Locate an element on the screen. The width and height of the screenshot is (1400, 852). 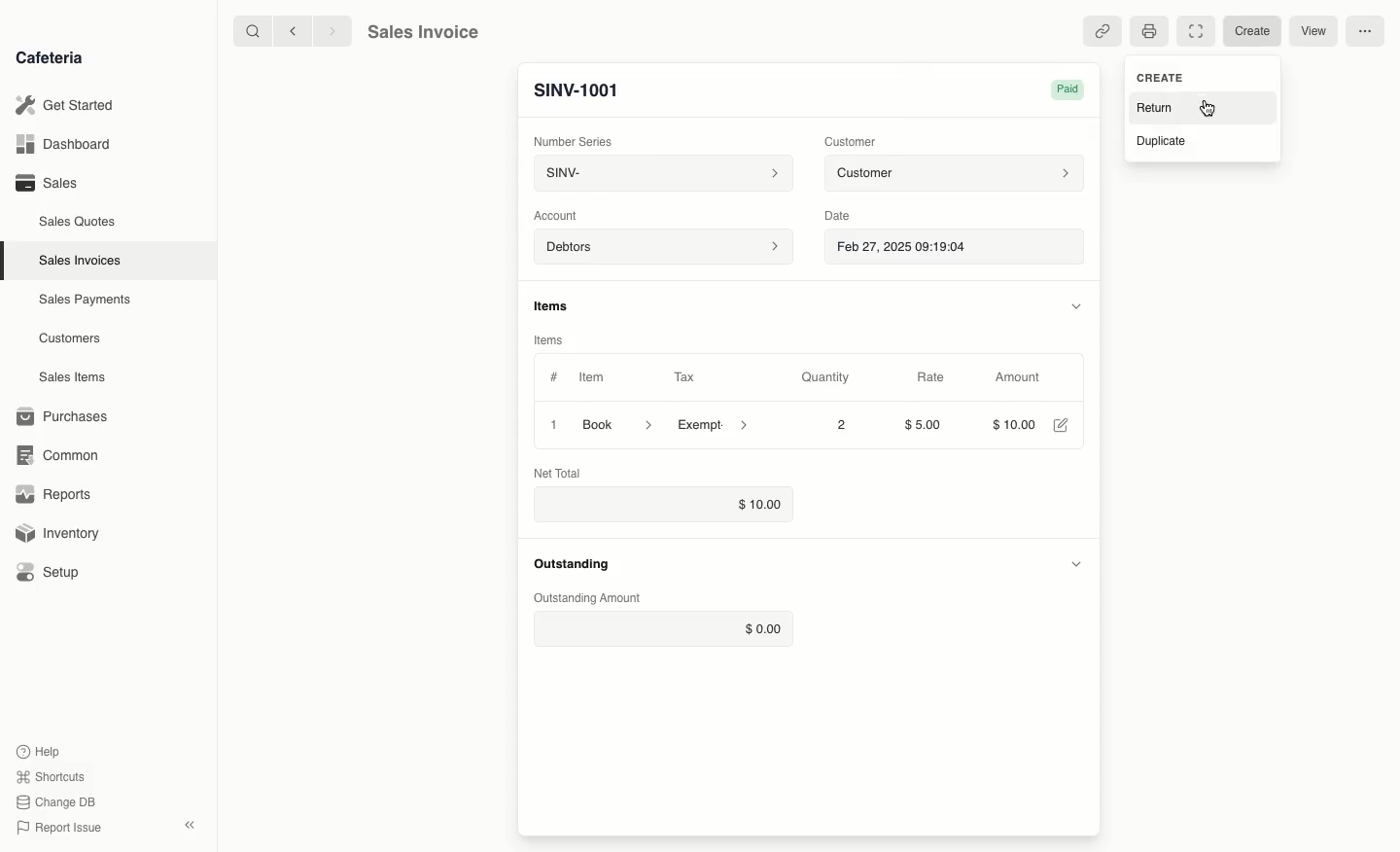
Hide is located at coordinates (1075, 303).